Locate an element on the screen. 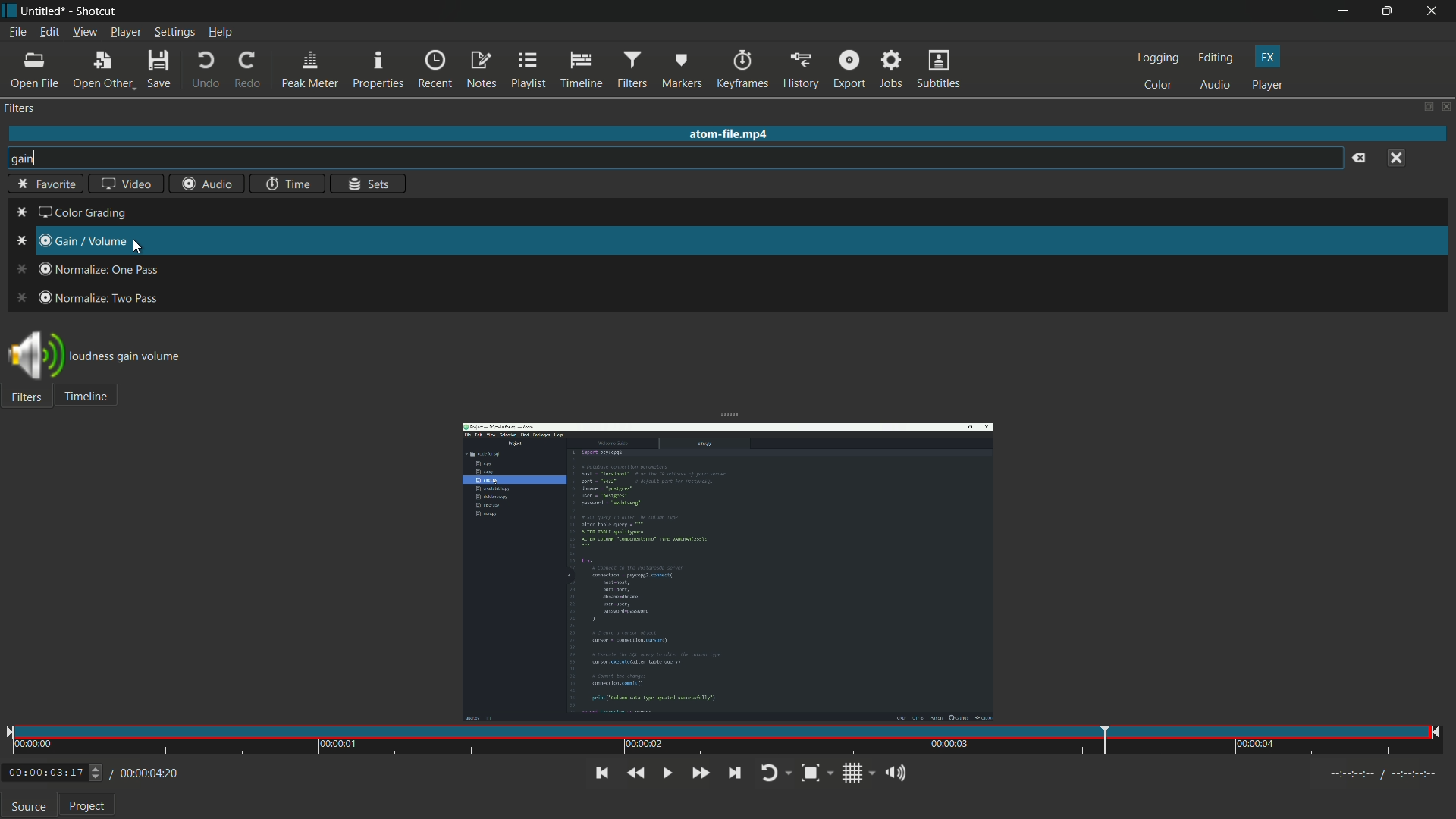  sets is located at coordinates (367, 183).